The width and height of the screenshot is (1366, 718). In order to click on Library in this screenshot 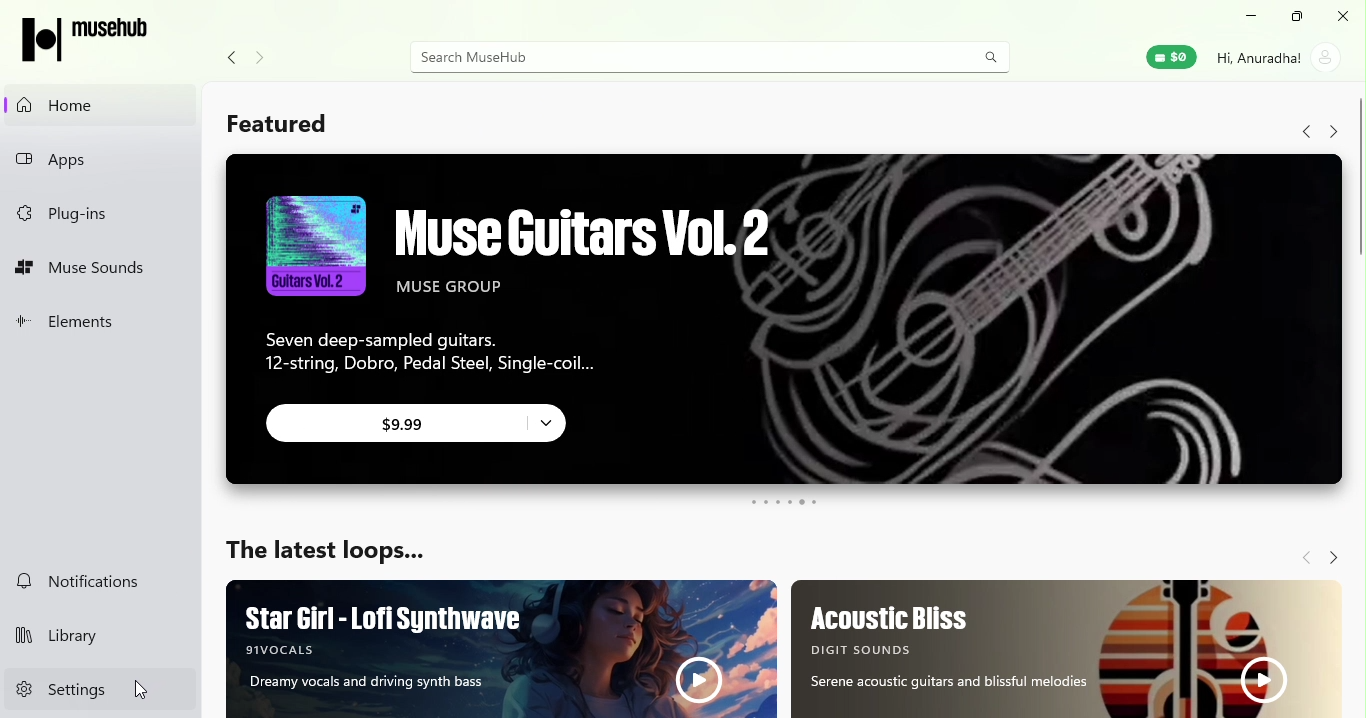, I will do `click(98, 639)`.